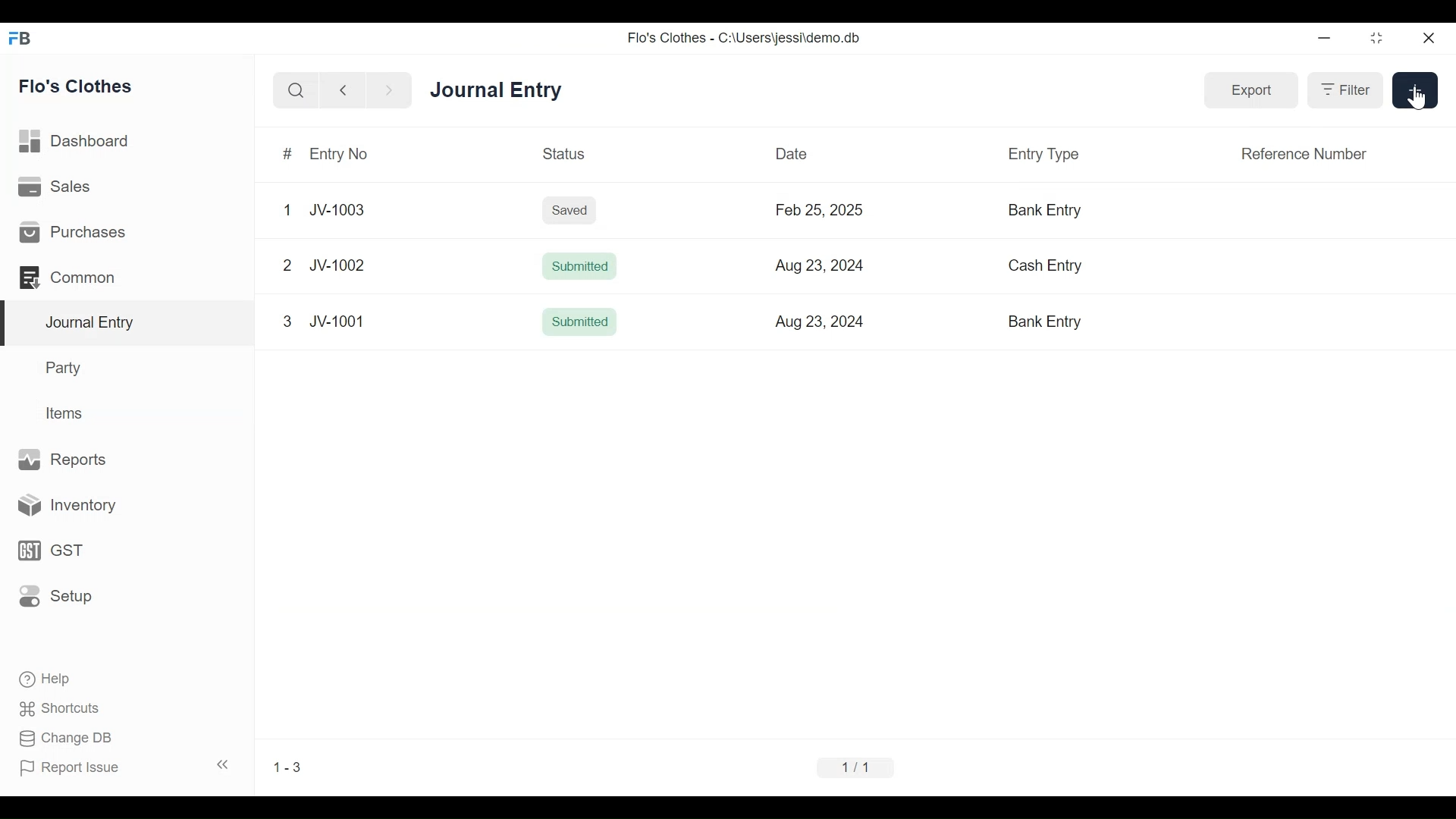  I want to click on Submitted, so click(580, 322).